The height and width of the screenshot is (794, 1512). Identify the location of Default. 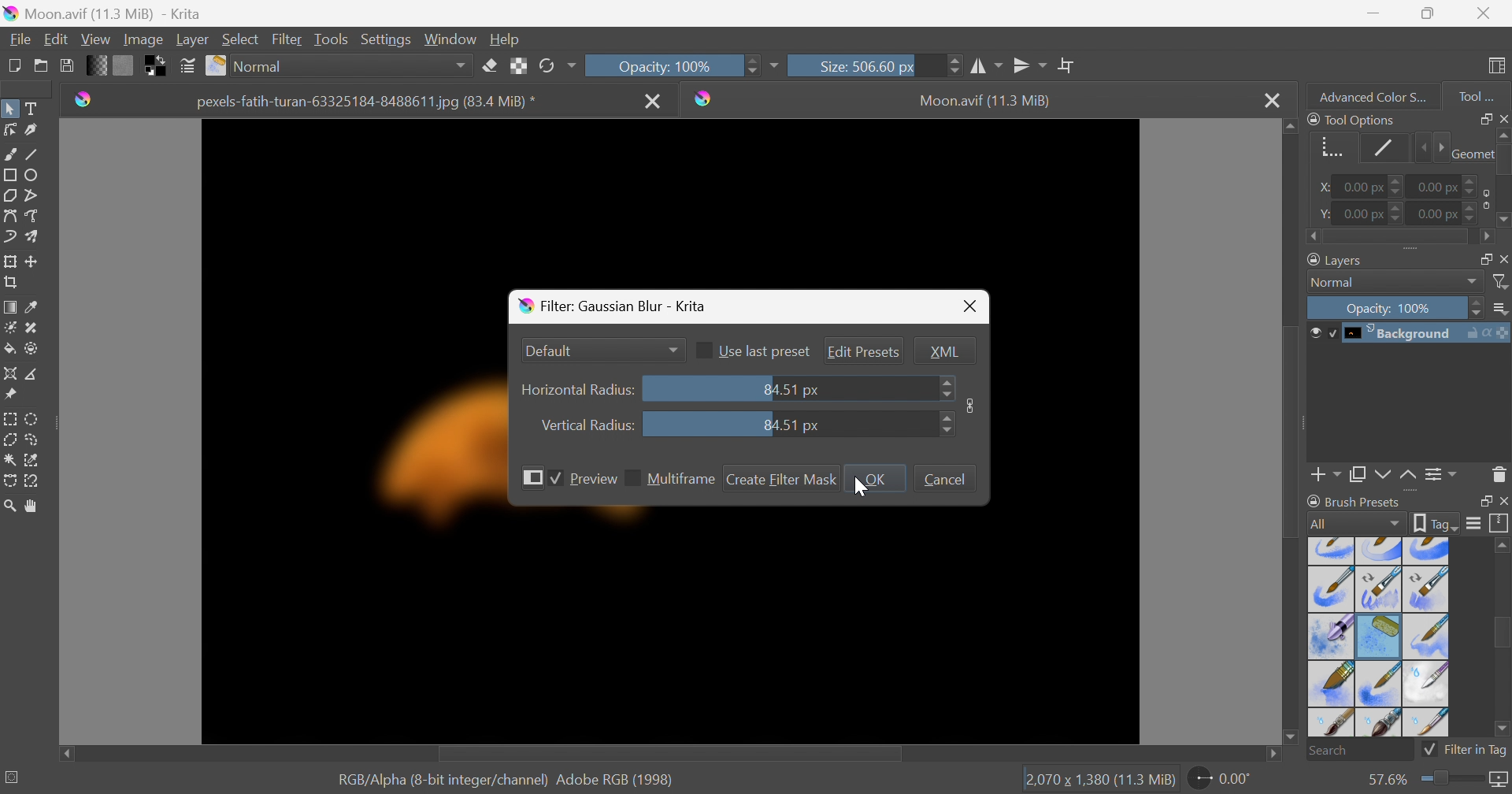
(551, 351).